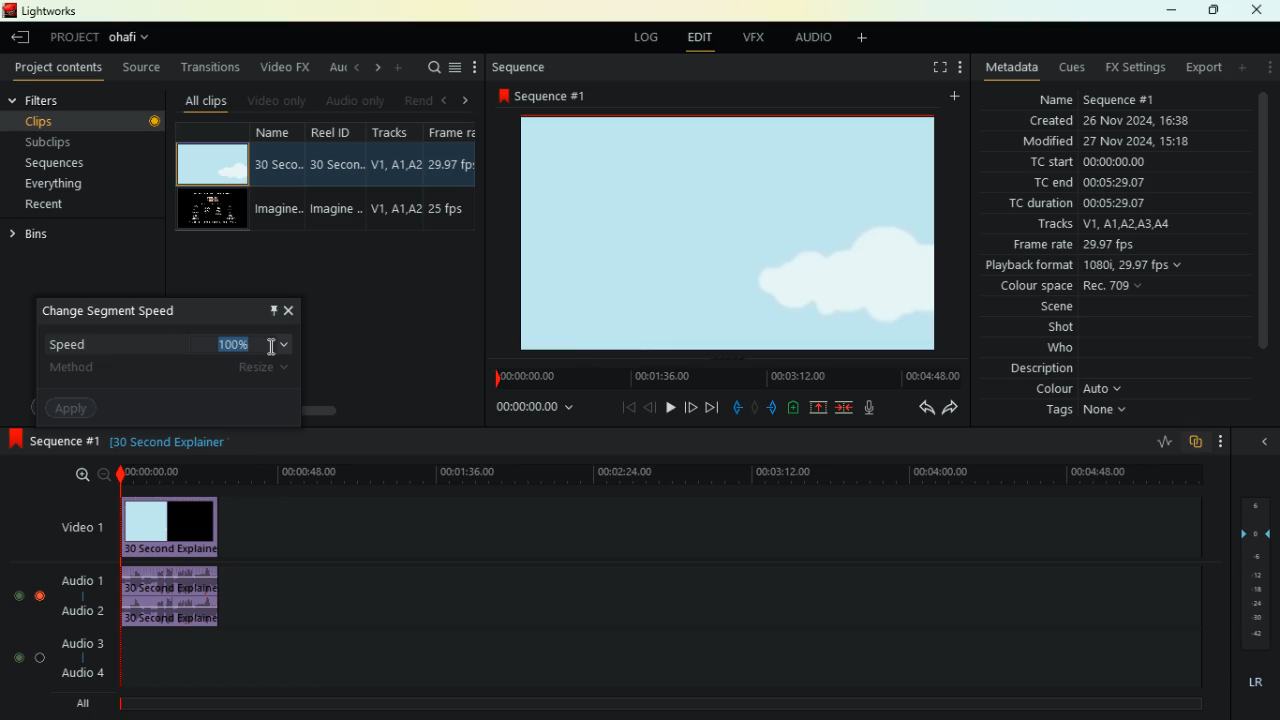 The image size is (1280, 720). I want to click on who, so click(1048, 349).